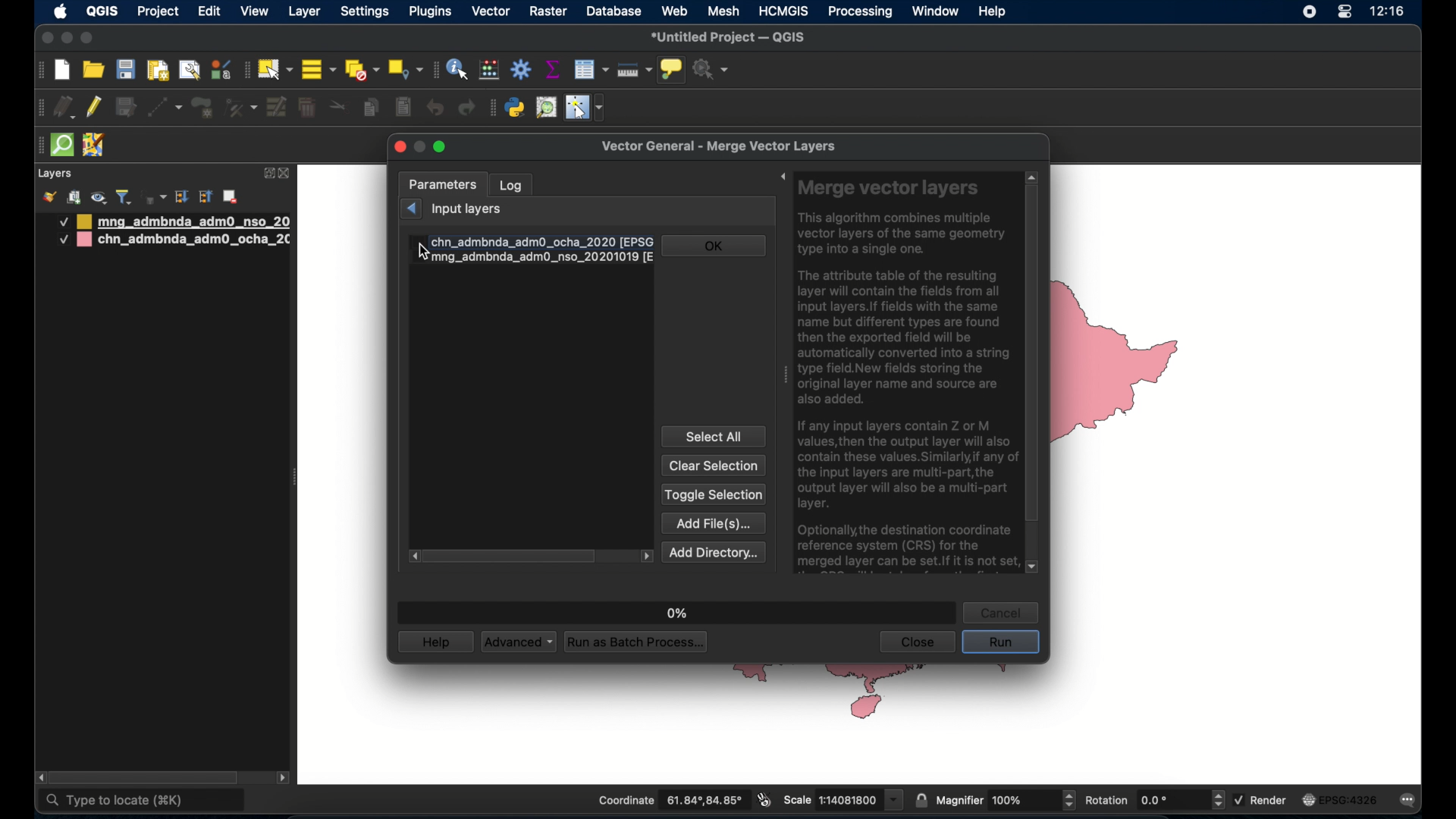  What do you see at coordinates (714, 552) in the screenshot?
I see `add directory` at bounding box center [714, 552].